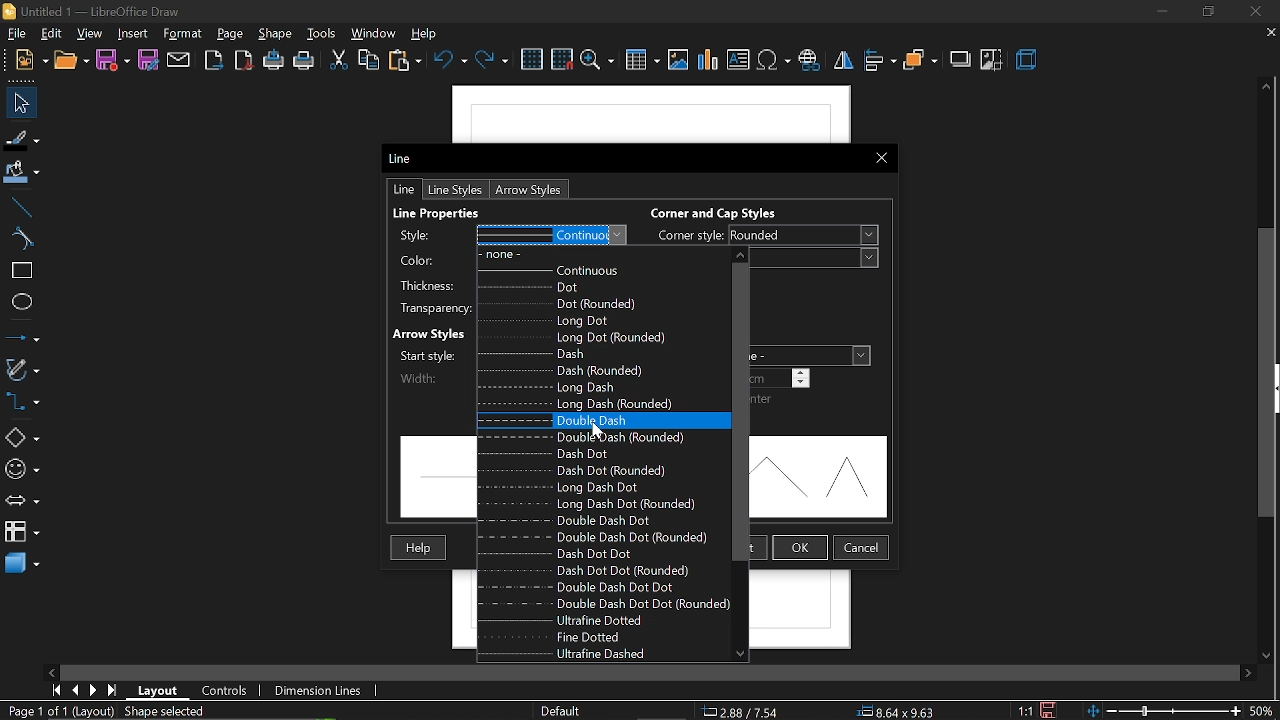 This screenshot has width=1280, height=720. Describe the element at coordinates (24, 239) in the screenshot. I see `curve` at that location.